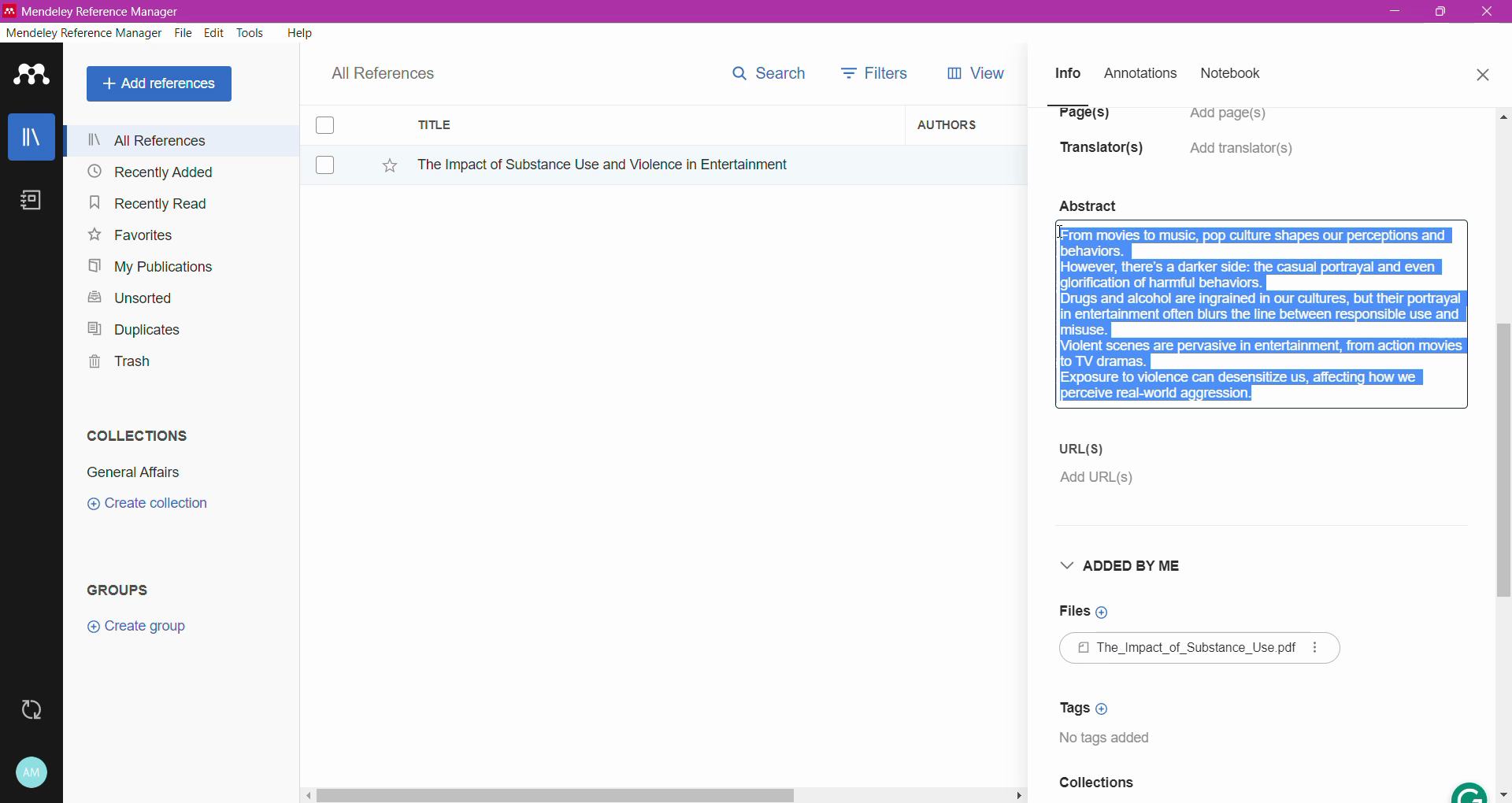  I want to click on Cursor, so click(1062, 239).